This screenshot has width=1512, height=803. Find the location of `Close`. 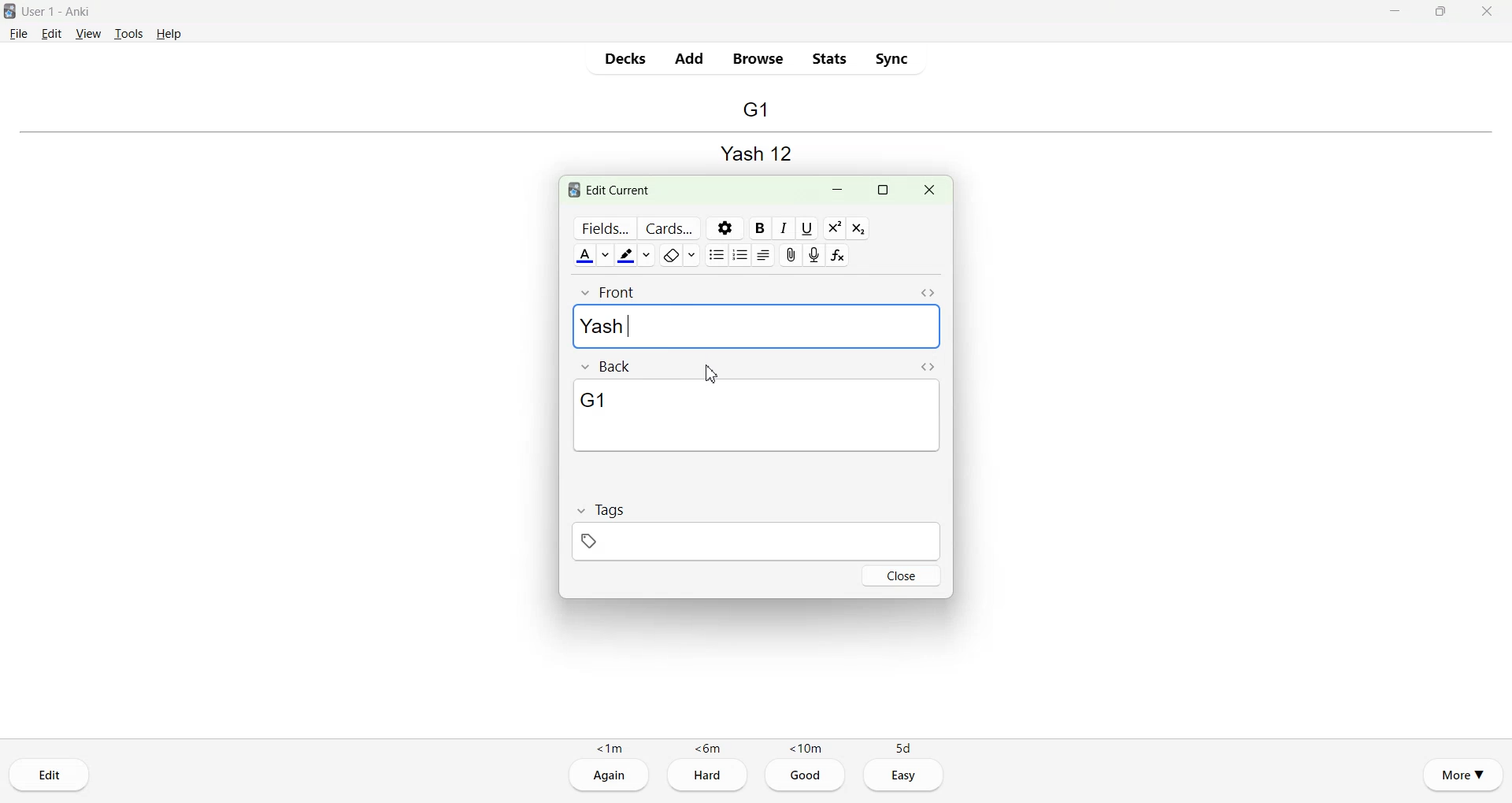

Close is located at coordinates (928, 191).